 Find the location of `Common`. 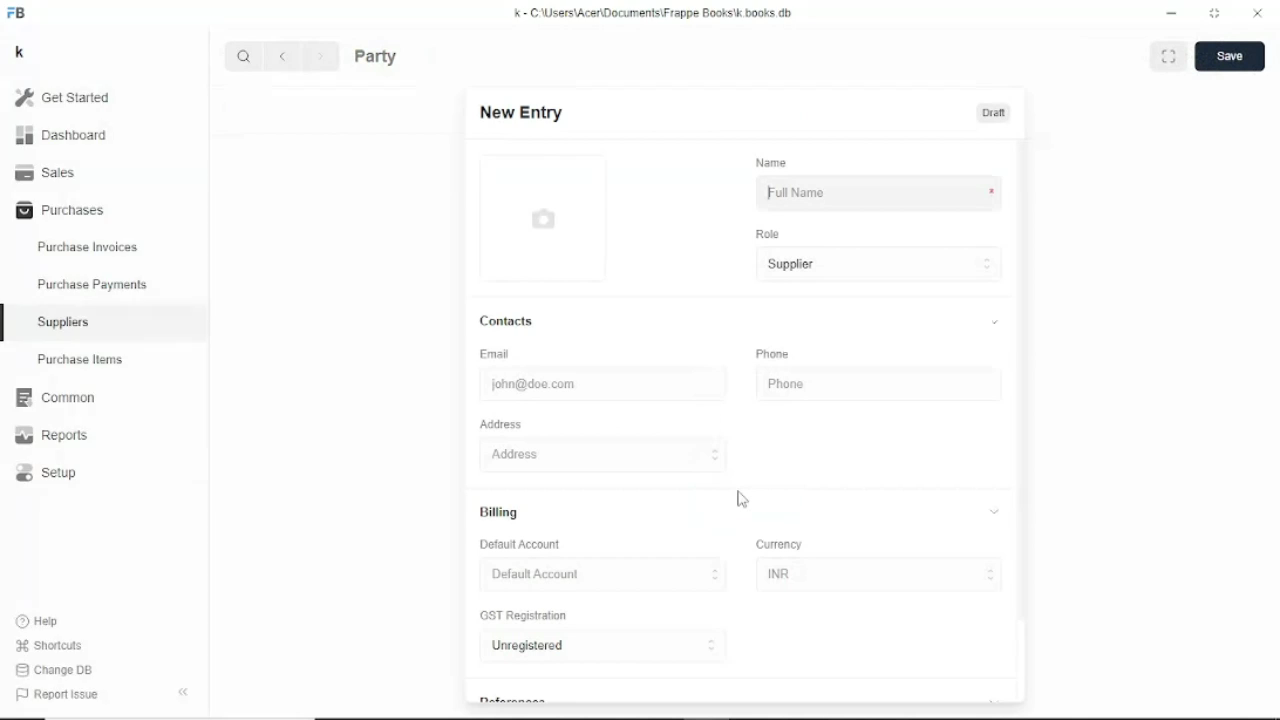

Common is located at coordinates (55, 398).